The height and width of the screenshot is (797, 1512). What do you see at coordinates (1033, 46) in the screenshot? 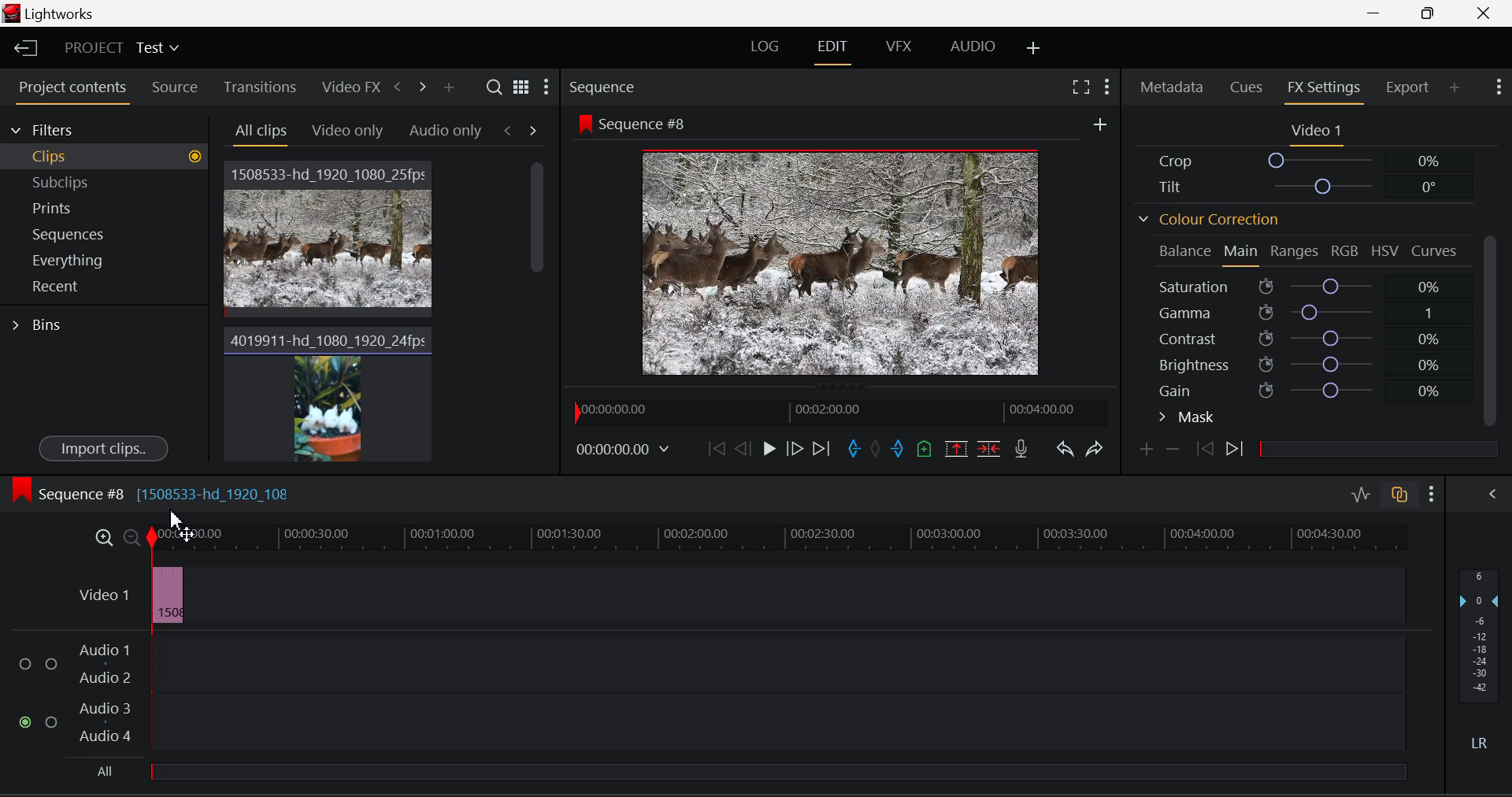
I see `Add Layouts` at bounding box center [1033, 46].